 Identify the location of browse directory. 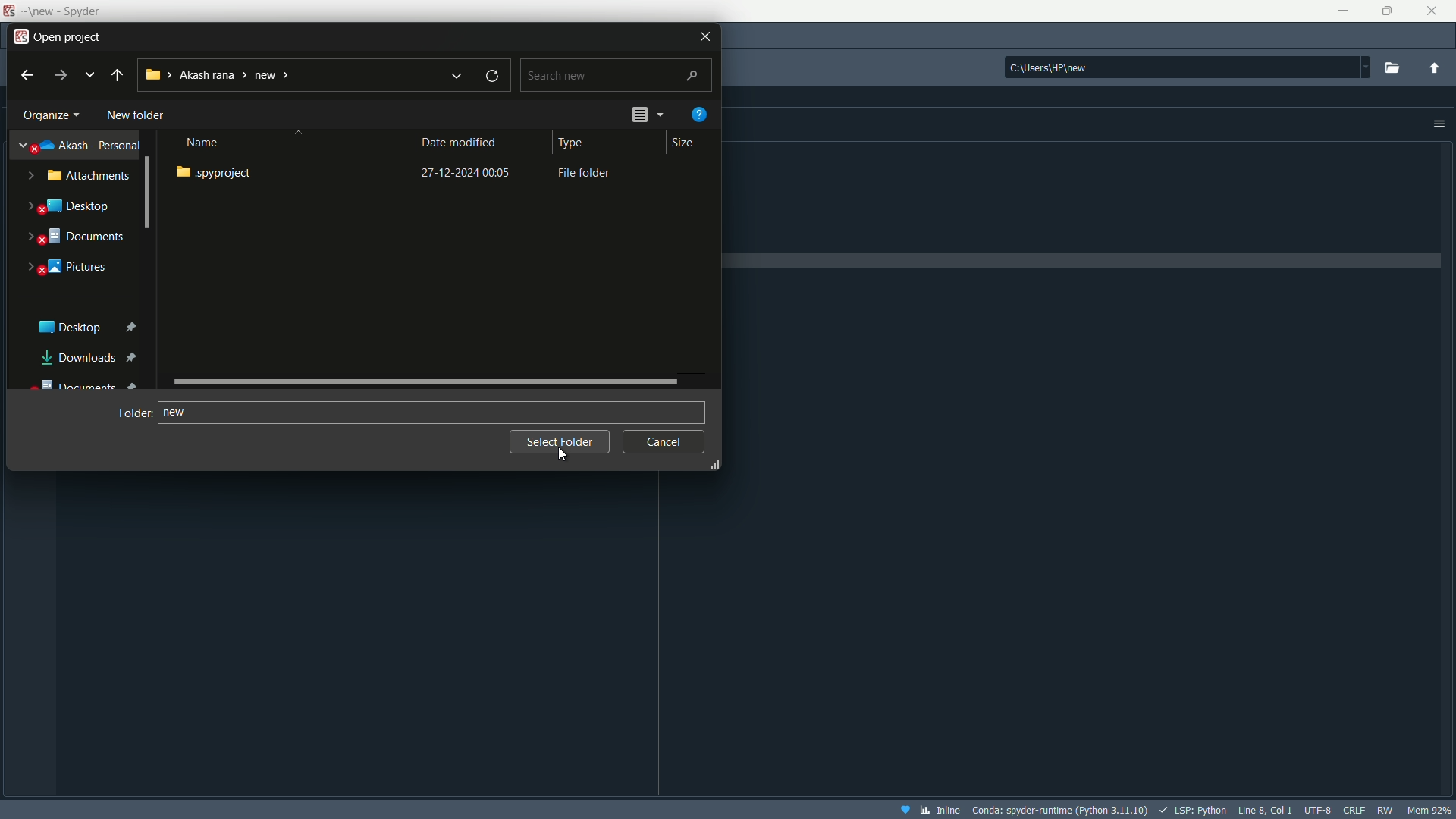
(1394, 67).